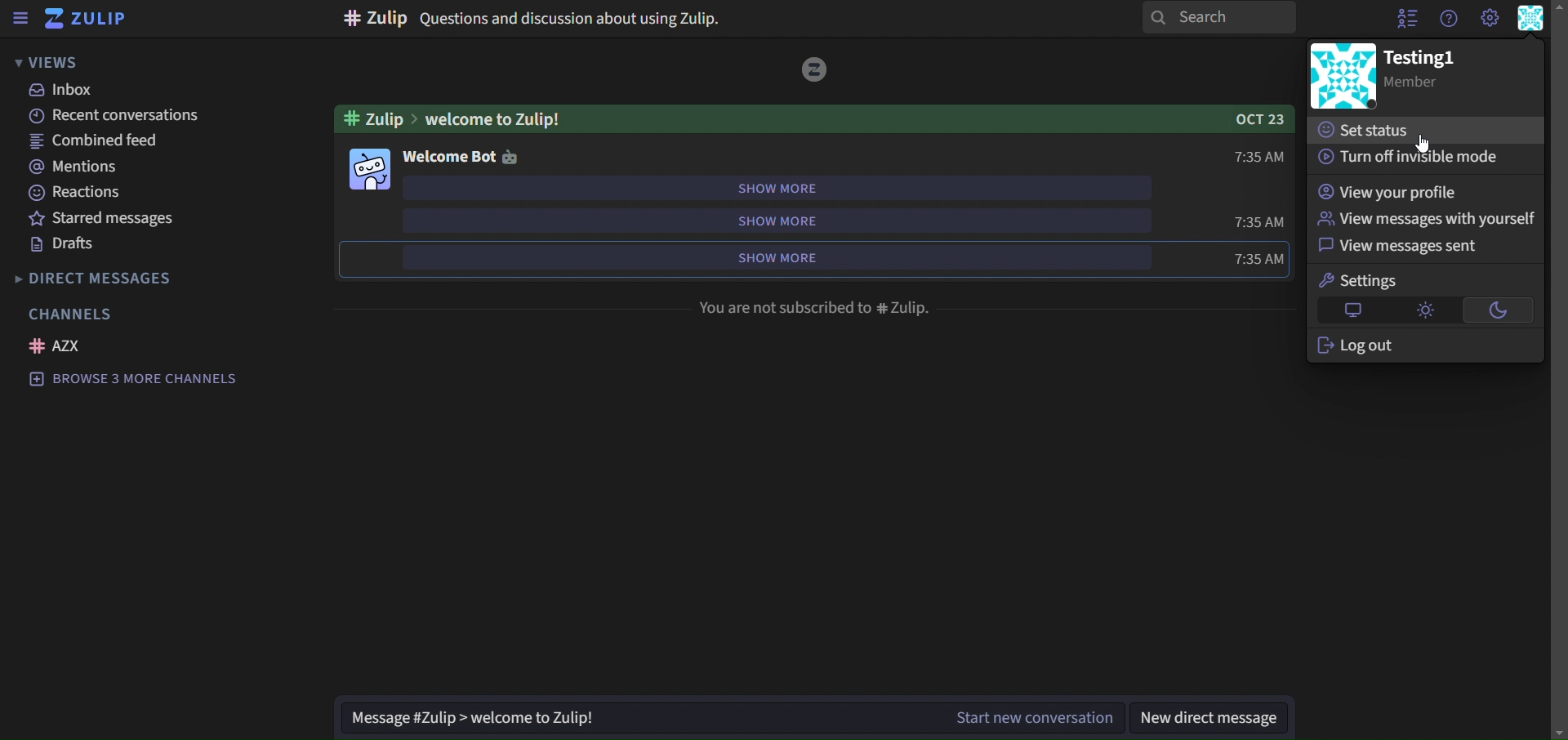  What do you see at coordinates (459, 157) in the screenshot?
I see `welcome bot` at bounding box center [459, 157].